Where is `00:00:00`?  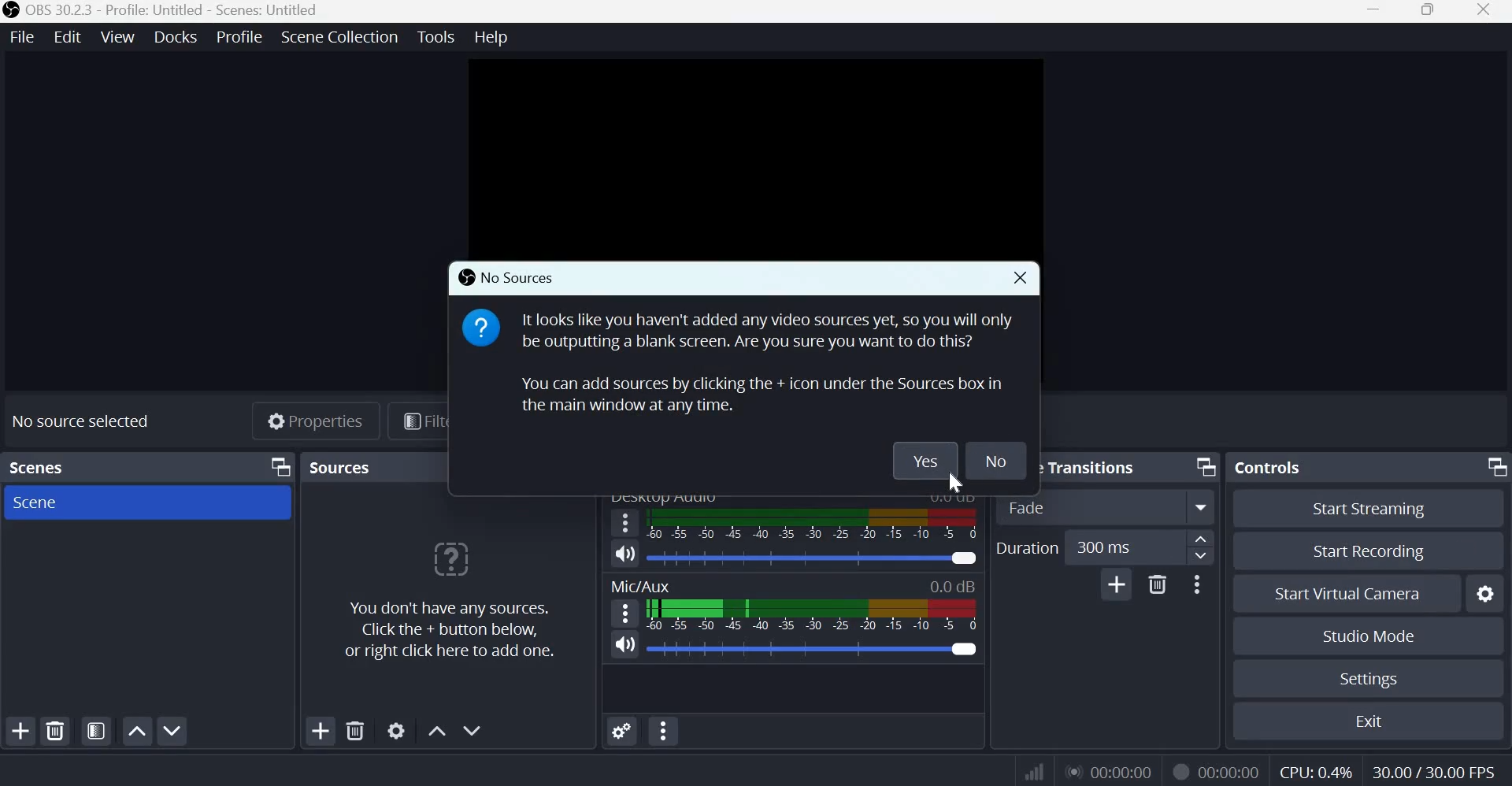 00:00:00 is located at coordinates (1110, 769).